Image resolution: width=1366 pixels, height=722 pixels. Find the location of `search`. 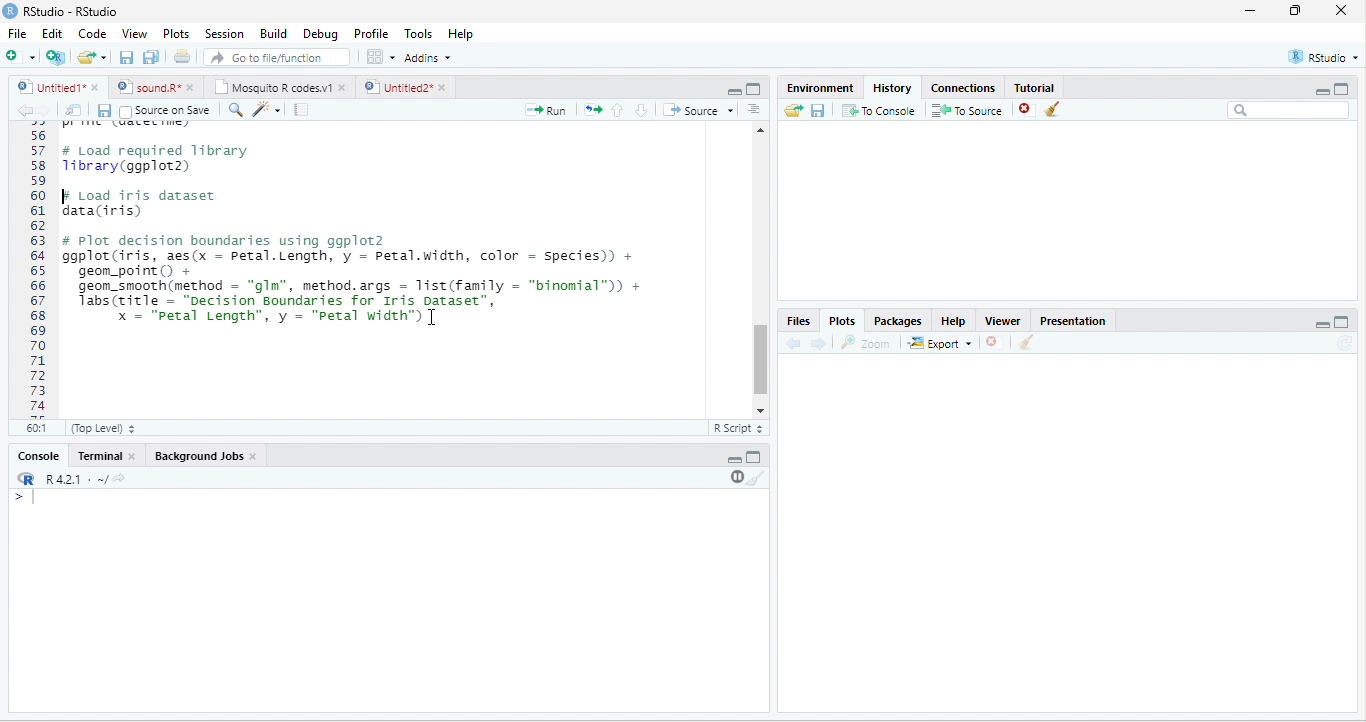

search is located at coordinates (234, 110).